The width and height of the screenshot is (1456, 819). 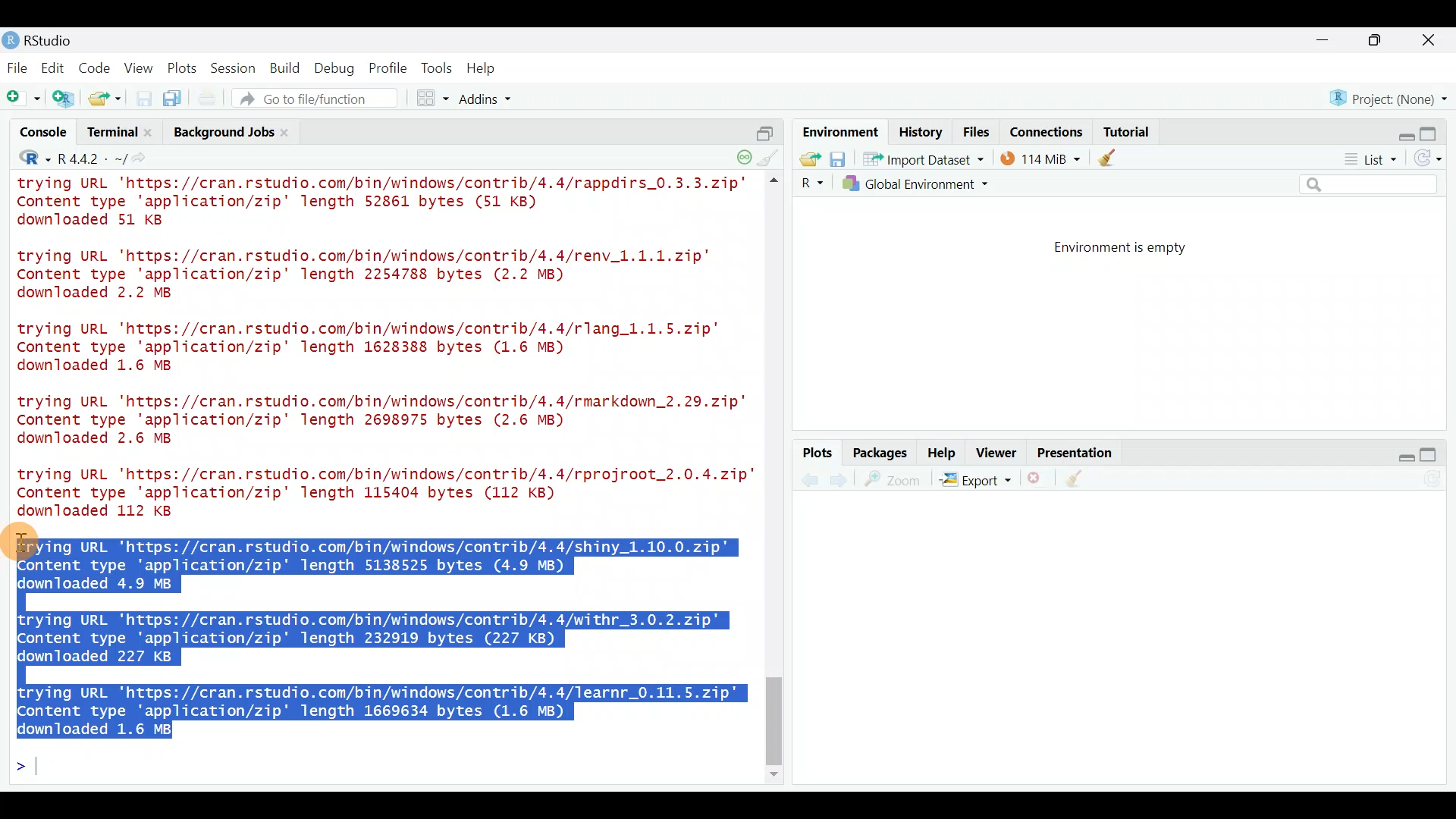 What do you see at coordinates (96, 67) in the screenshot?
I see `Code` at bounding box center [96, 67].